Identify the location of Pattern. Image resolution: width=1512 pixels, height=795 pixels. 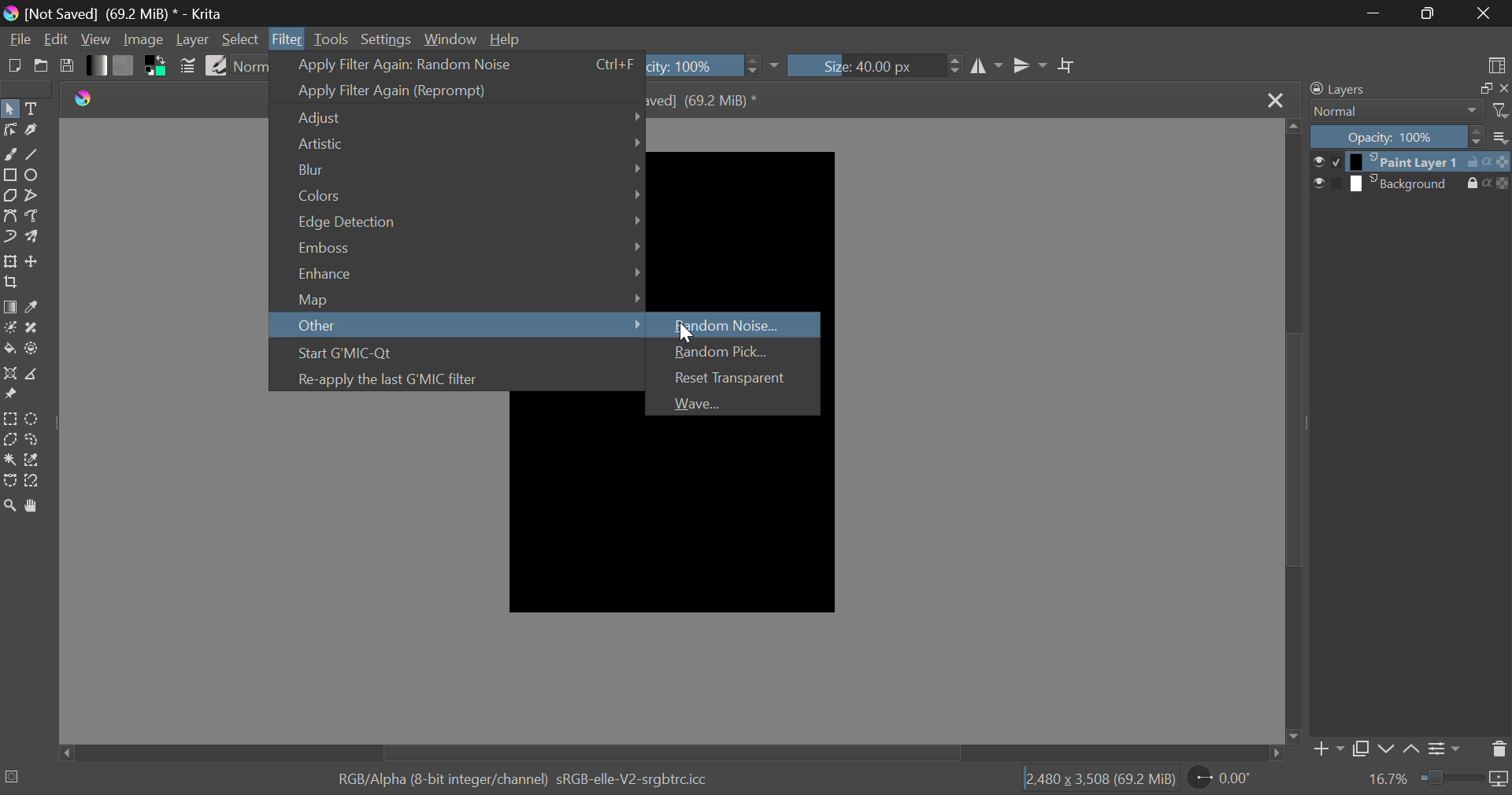
(126, 65).